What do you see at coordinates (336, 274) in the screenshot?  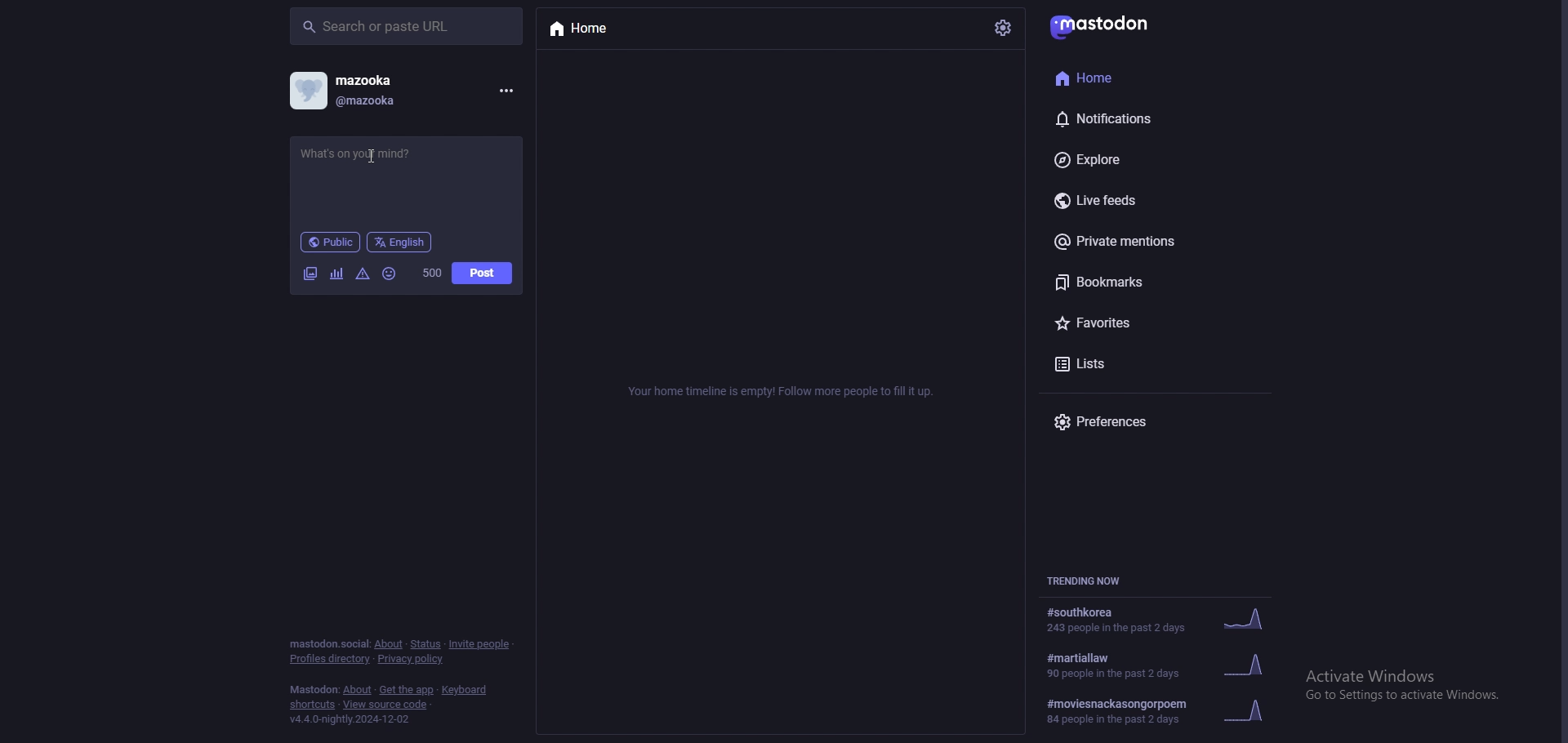 I see `poll` at bounding box center [336, 274].